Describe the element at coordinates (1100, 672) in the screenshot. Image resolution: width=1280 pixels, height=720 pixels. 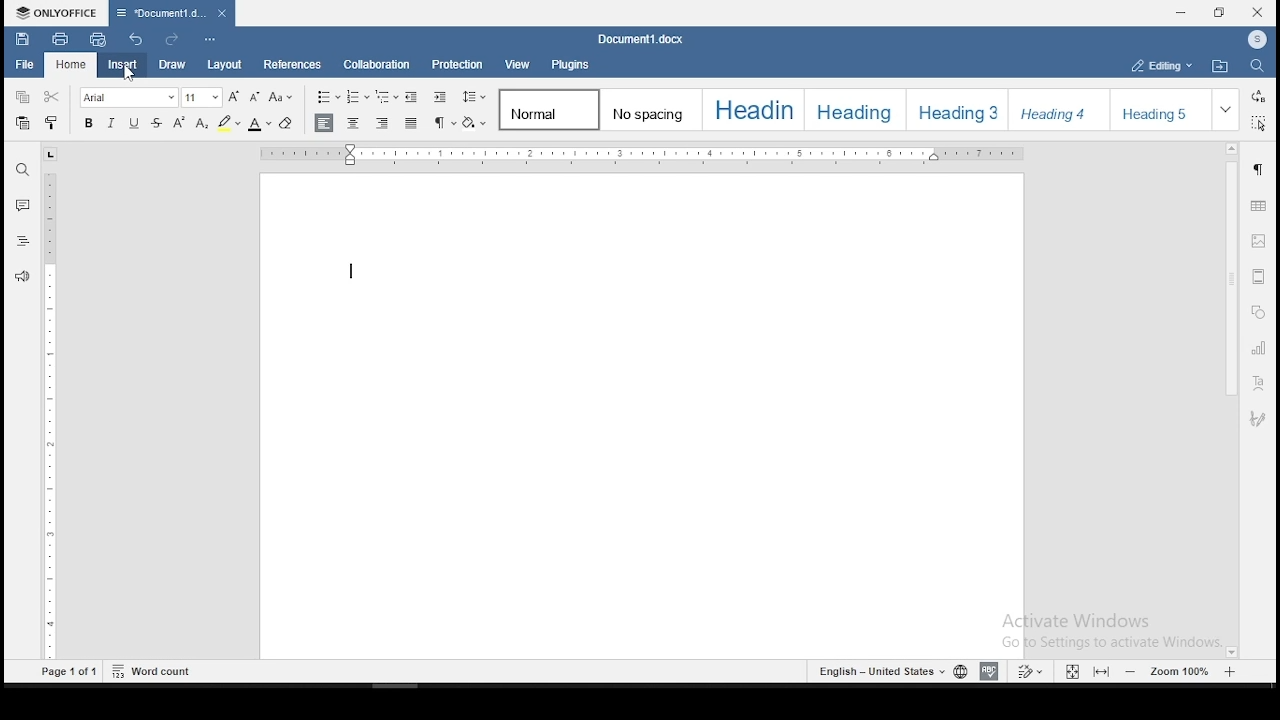
I see `fit to screen` at that location.